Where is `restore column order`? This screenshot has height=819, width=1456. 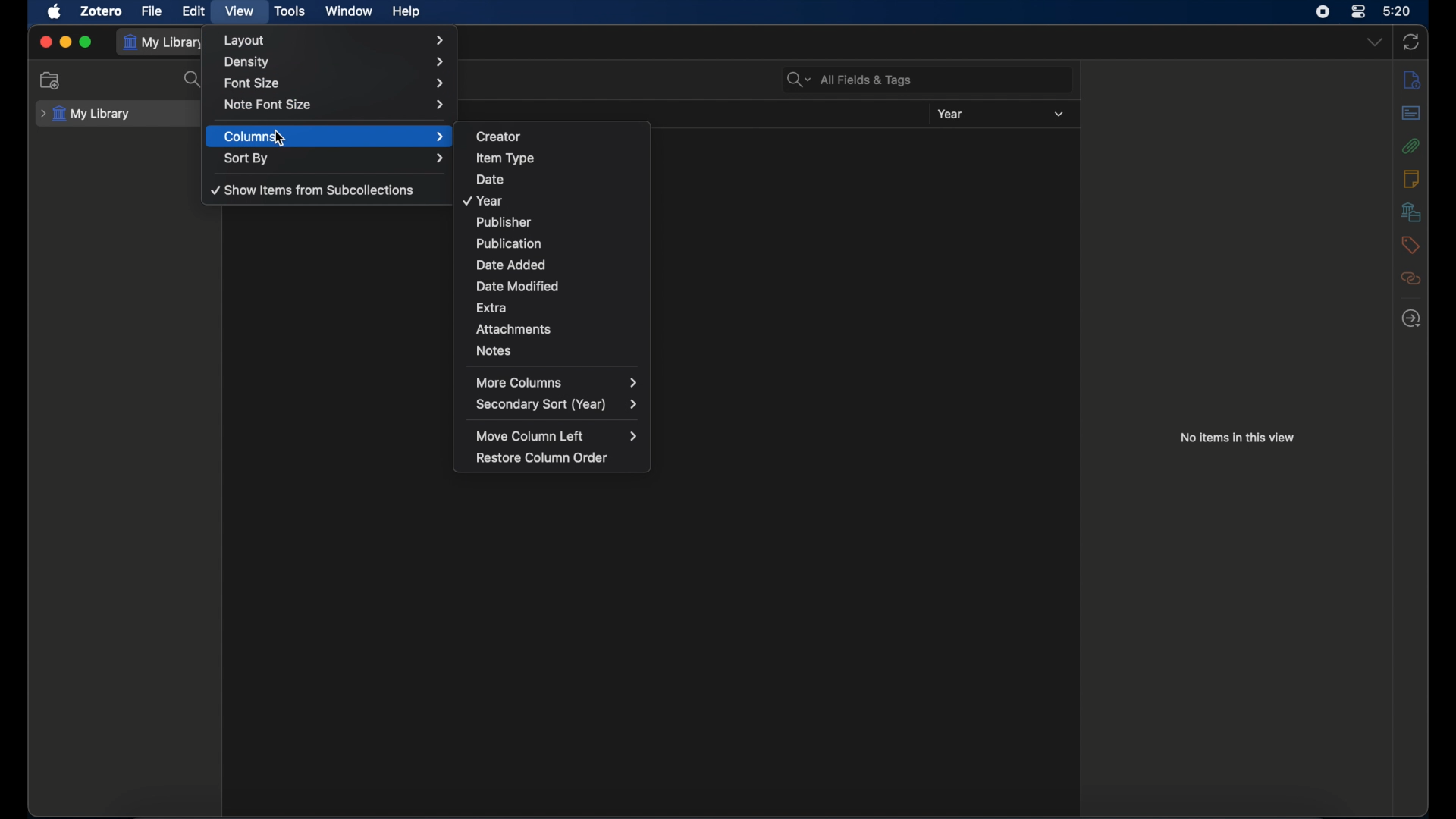 restore column order is located at coordinates (546, 457).